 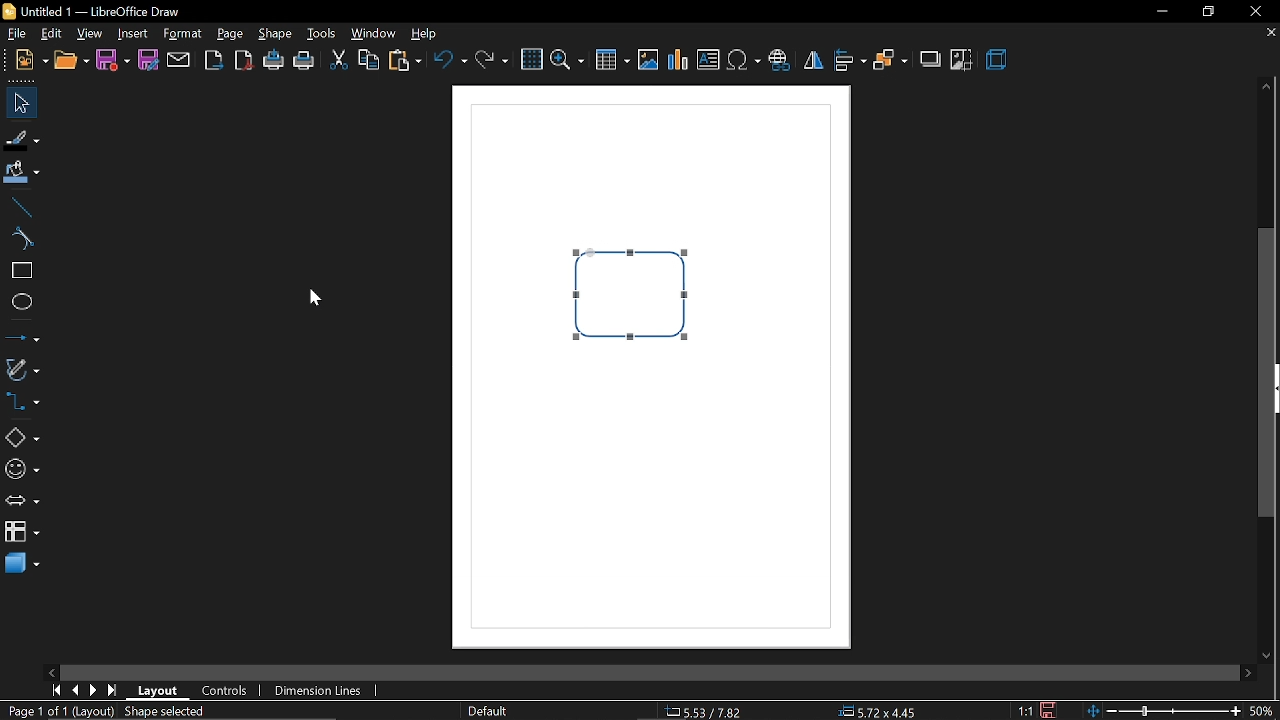 What do you see at coordinates (452, 64) in the screenshot?
I see `undo` at bounding box center [452, 64].